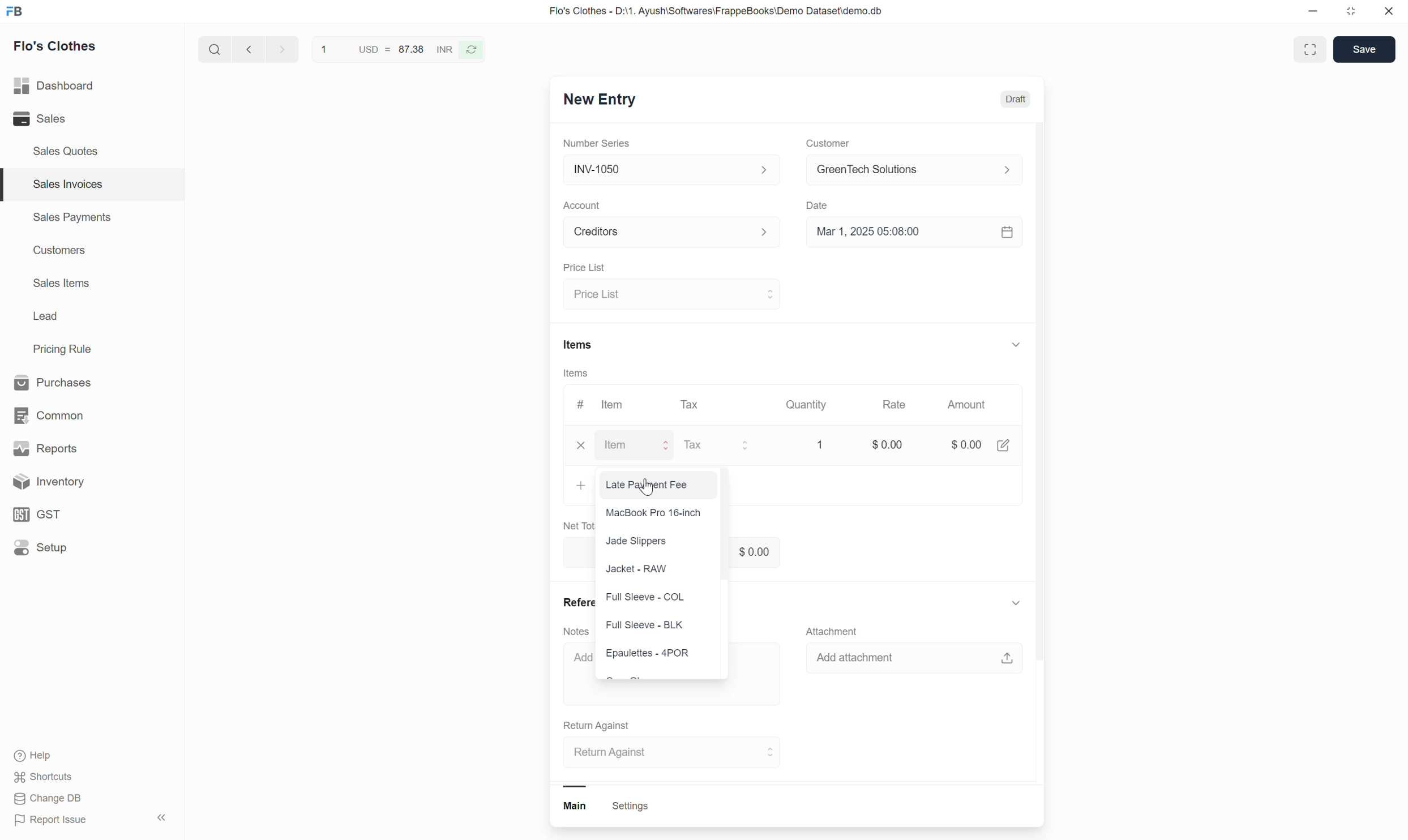 The height and width of the screenshot is (840, 1408). I want to click on refresh, so click(476, 51).